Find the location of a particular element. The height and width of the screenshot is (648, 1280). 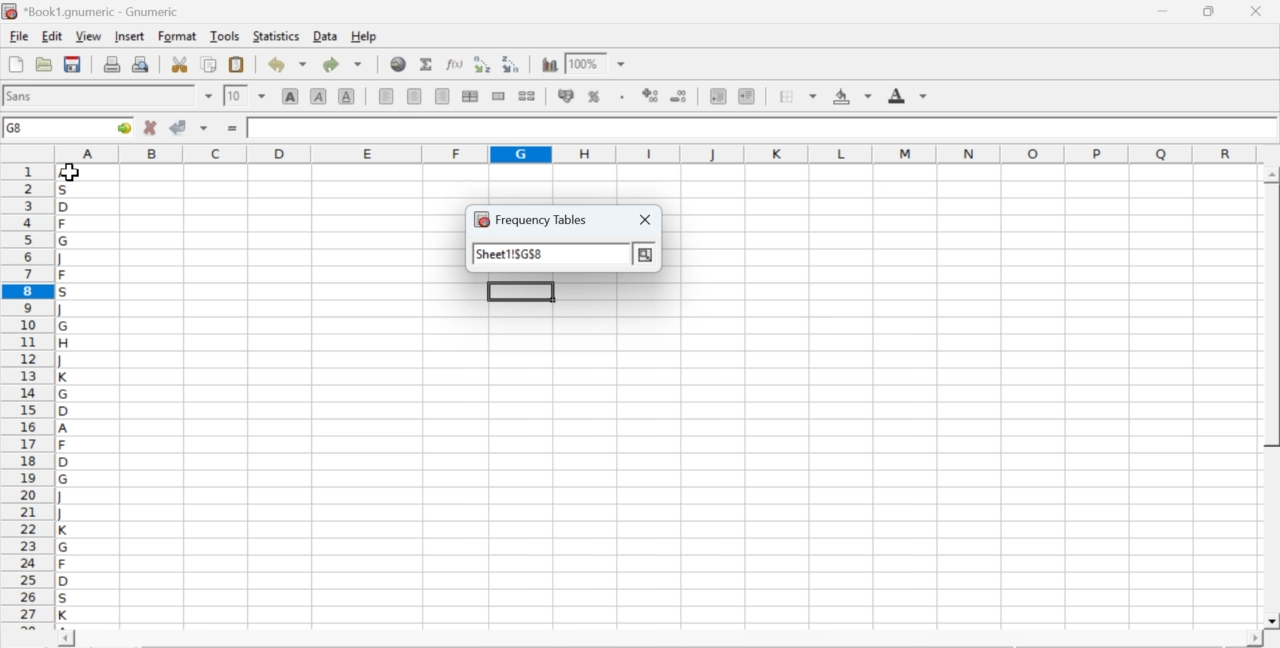

foreground is located at coordinates (908, 95).